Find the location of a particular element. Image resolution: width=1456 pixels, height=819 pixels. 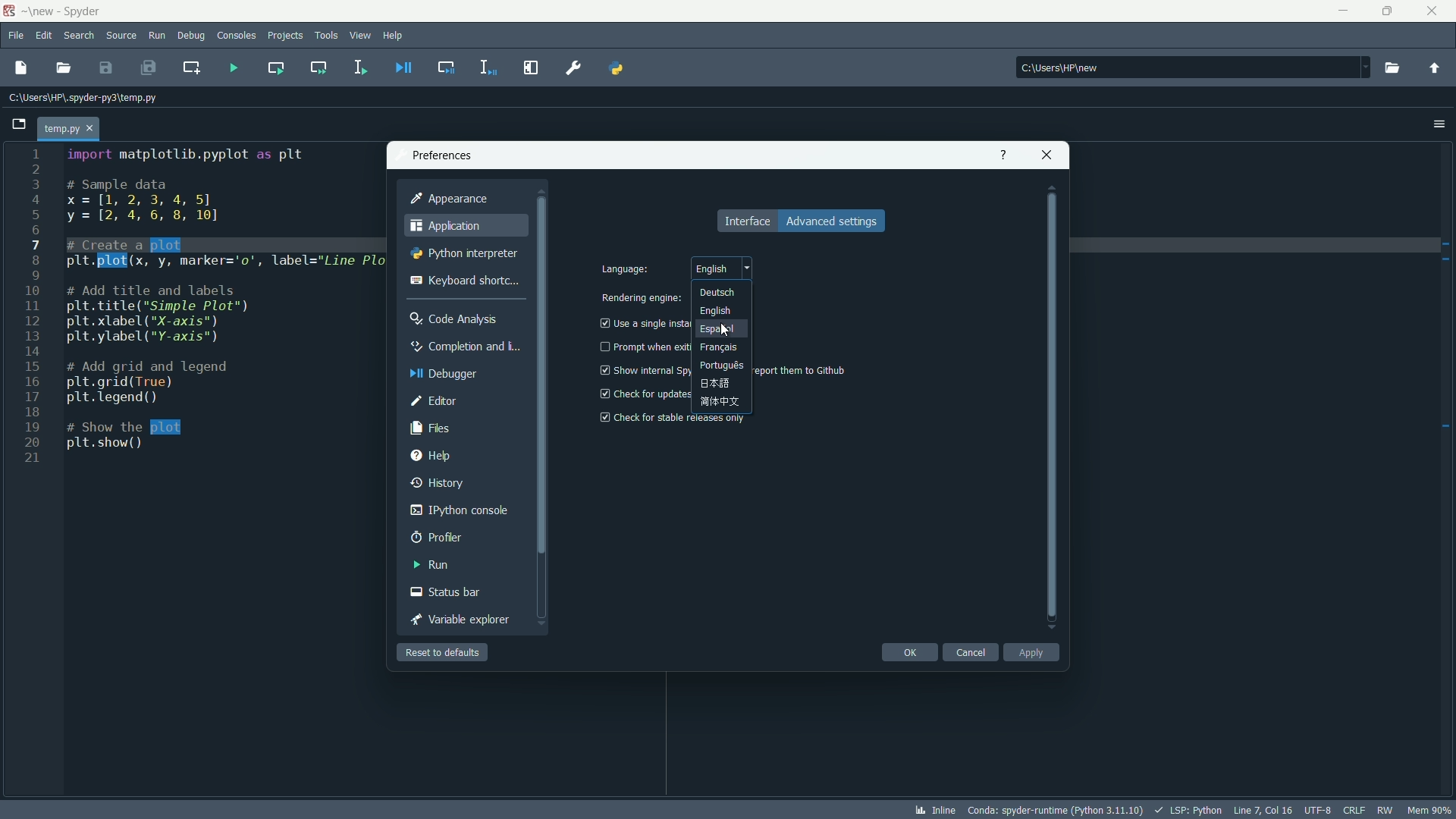

app name is located at coordinates (82, 13).